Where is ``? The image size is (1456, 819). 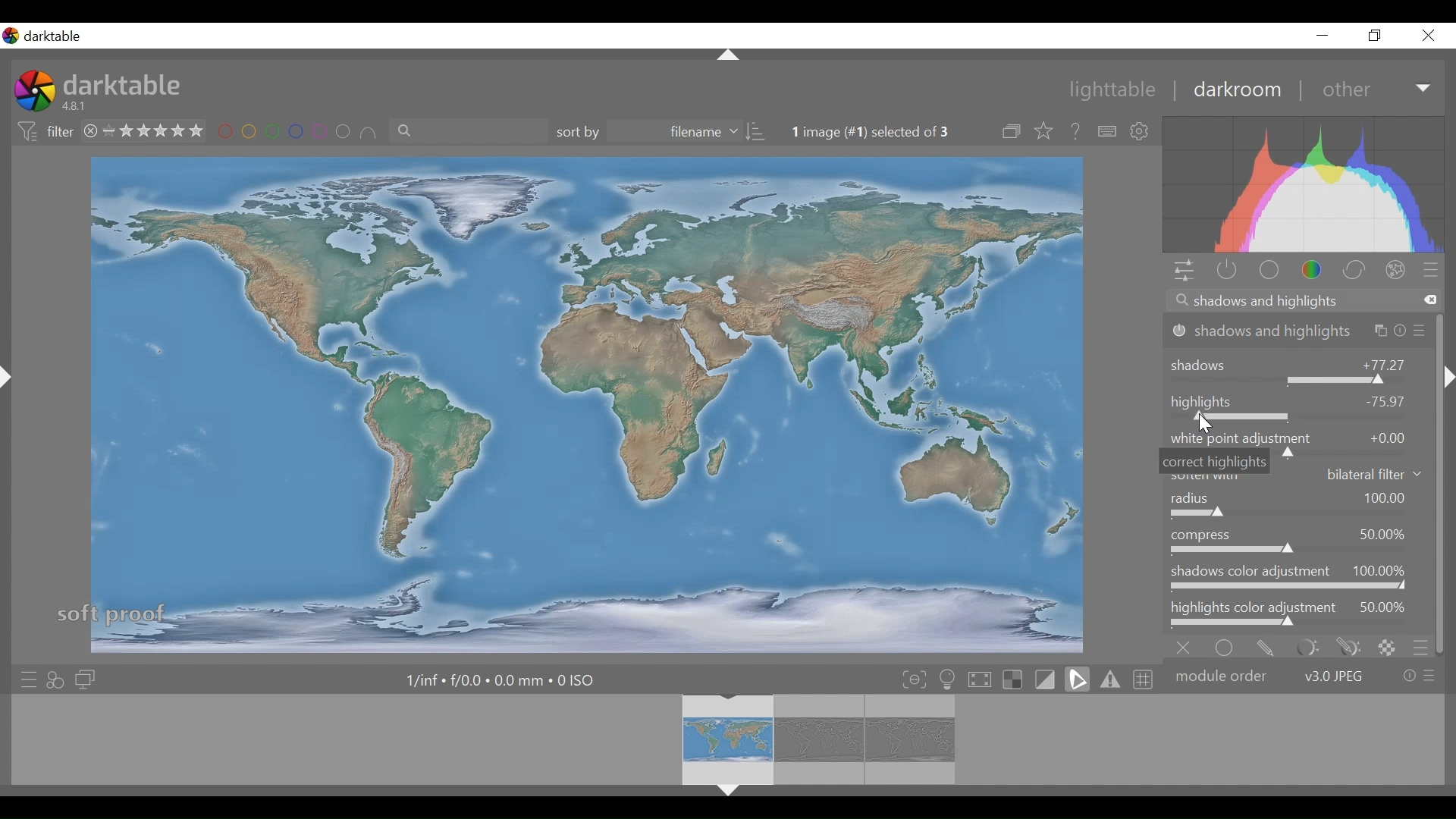  is located at coordinates (725, 793).